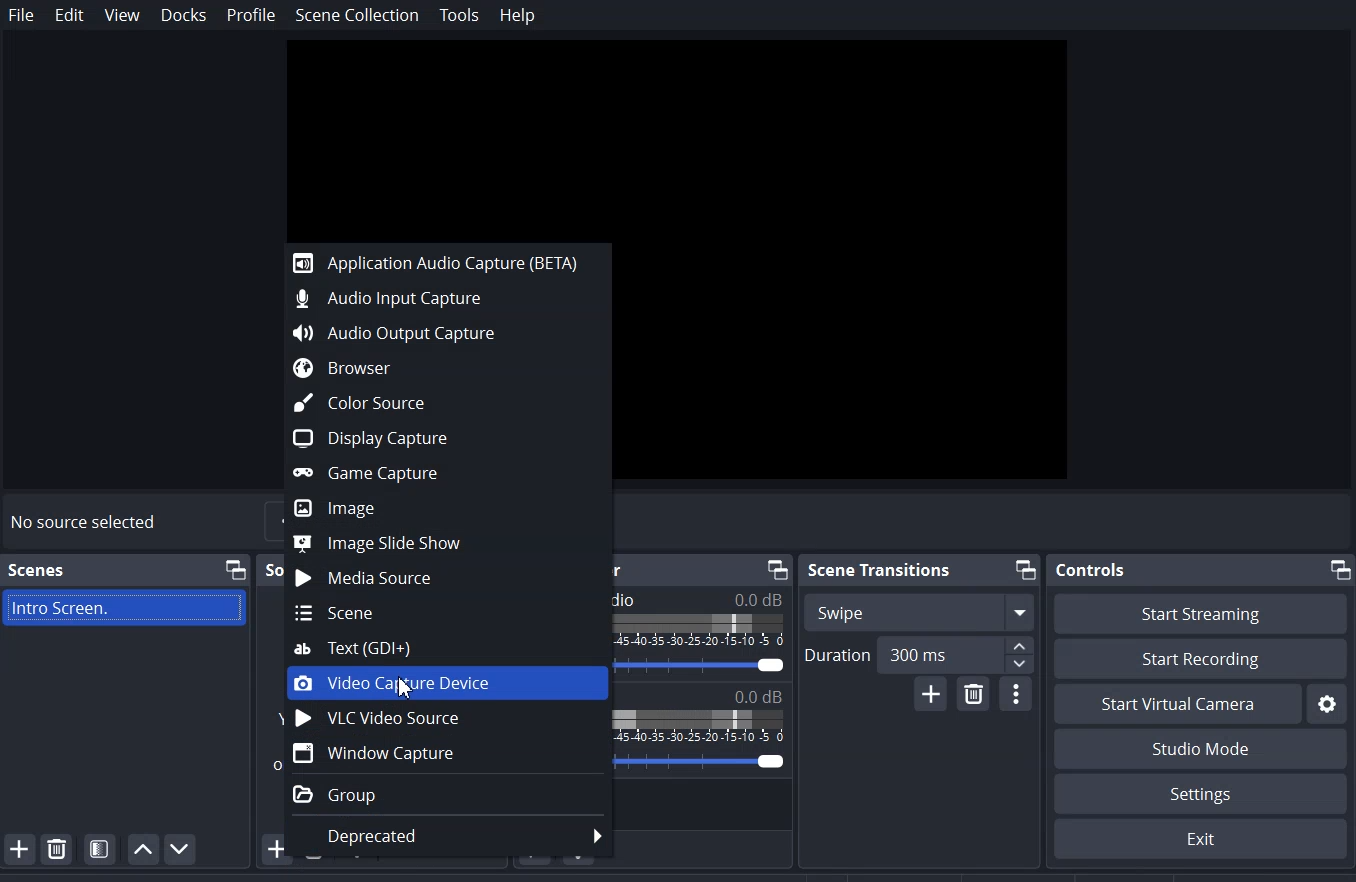 Image resolution: width=1356 pixels, height=882 pixels. What do you see at coordinates (1199, 839) in the screenshot?
I see `Settings` at bounding box center [1199, 839].